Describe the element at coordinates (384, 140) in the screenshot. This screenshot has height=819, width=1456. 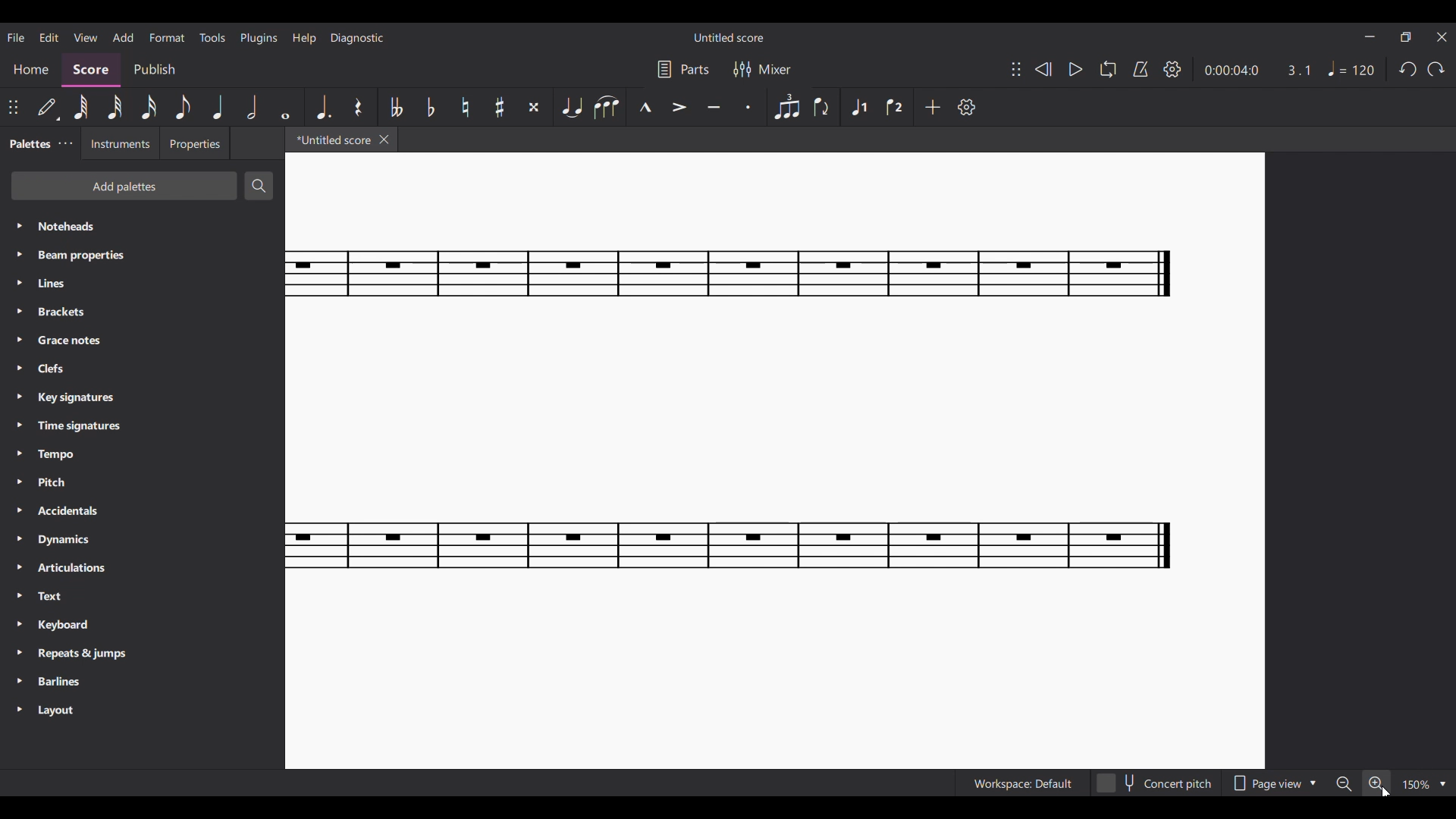
I see `Close tab` at that location.